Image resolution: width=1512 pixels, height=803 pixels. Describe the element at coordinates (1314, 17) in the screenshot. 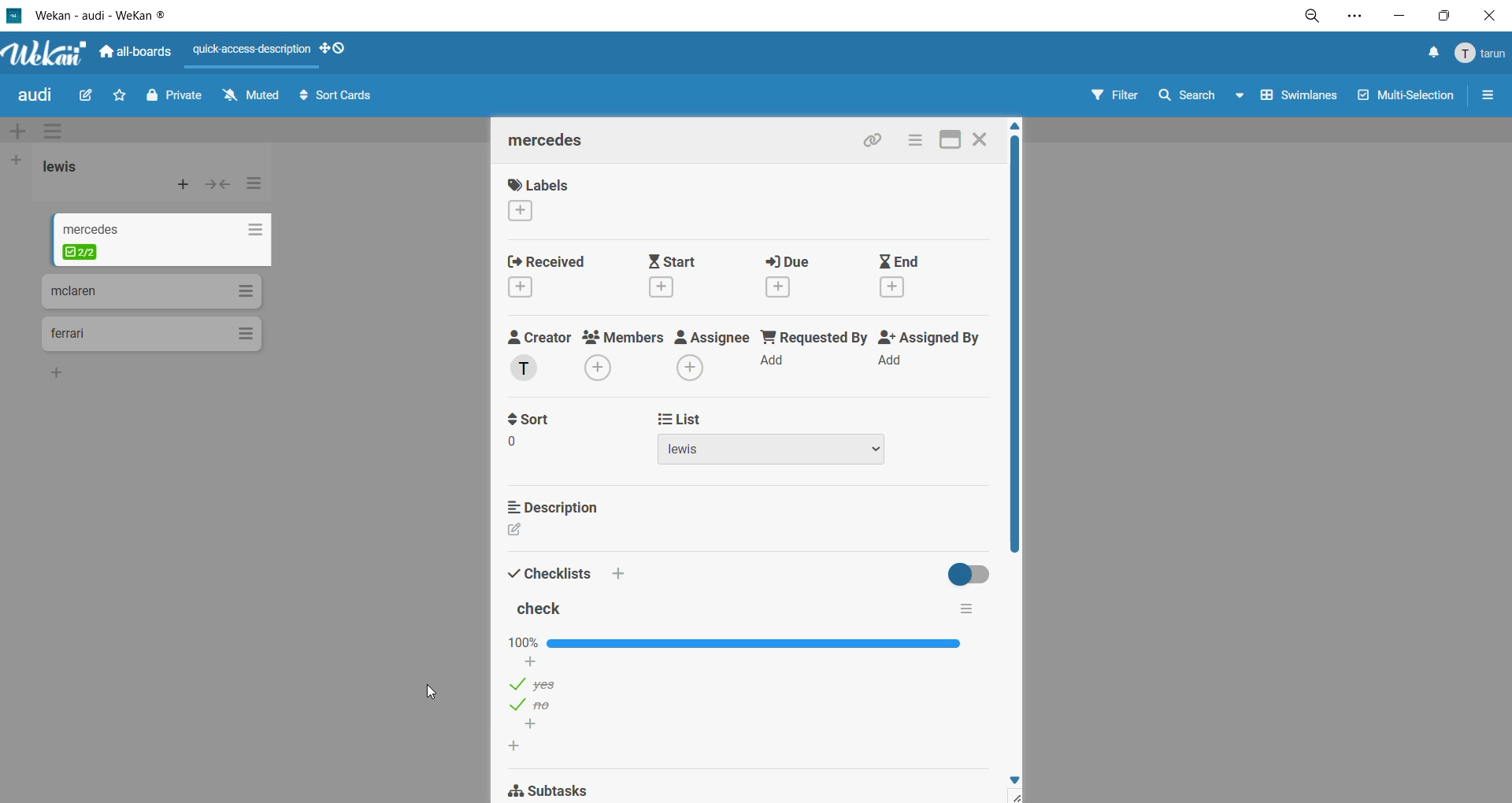

I see `zoom` at that location.